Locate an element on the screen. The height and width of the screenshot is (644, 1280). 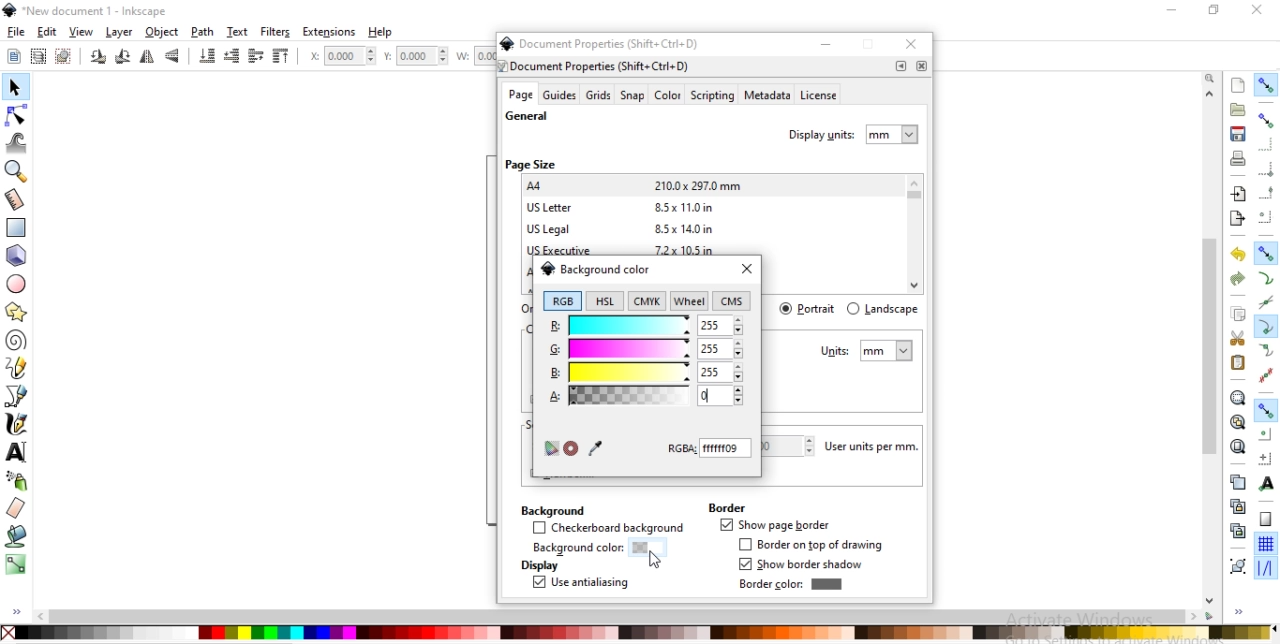
edit paths by nodes is located at coordinates (15, 118).